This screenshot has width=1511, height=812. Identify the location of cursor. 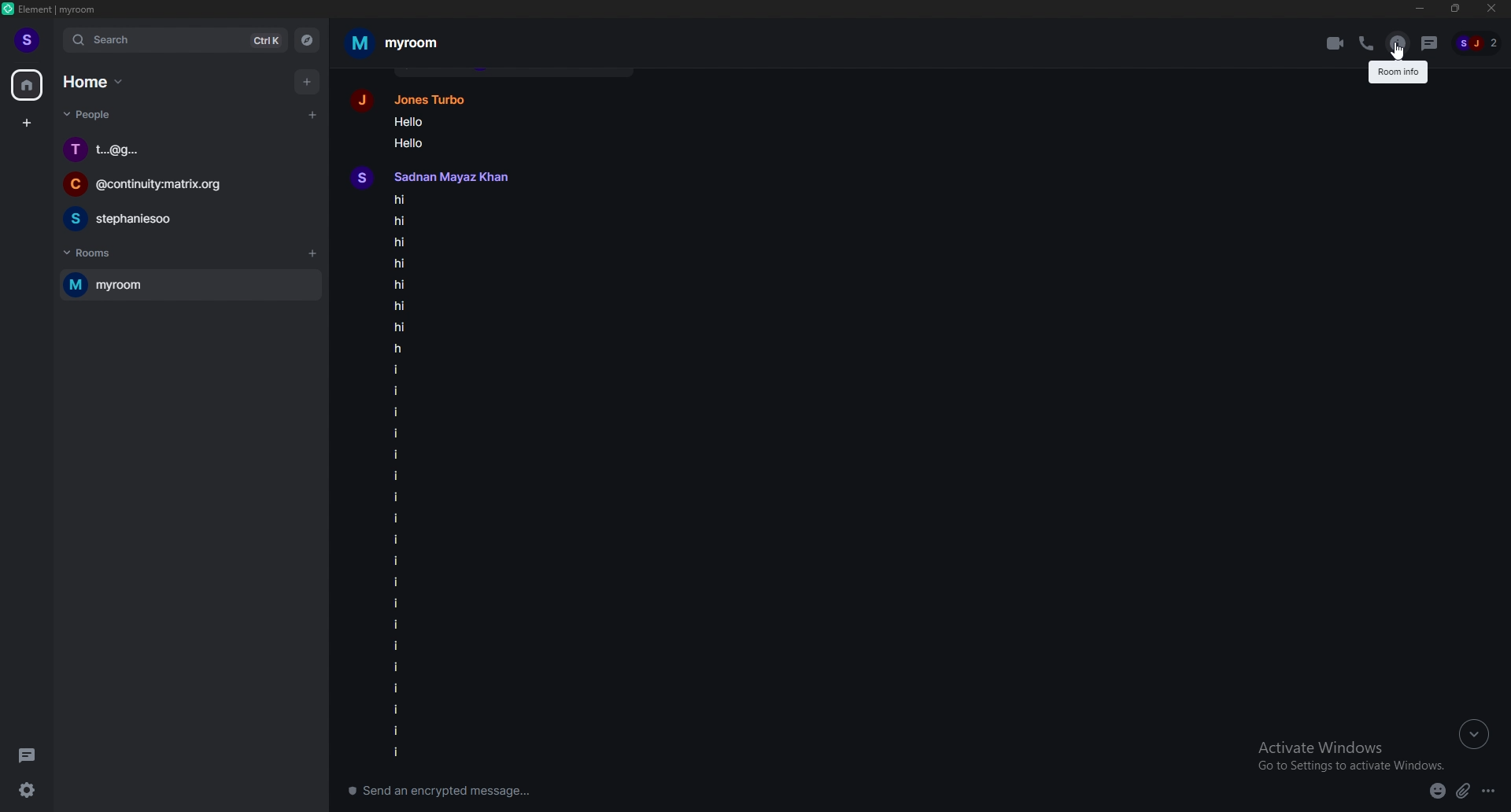
(1395, 52).